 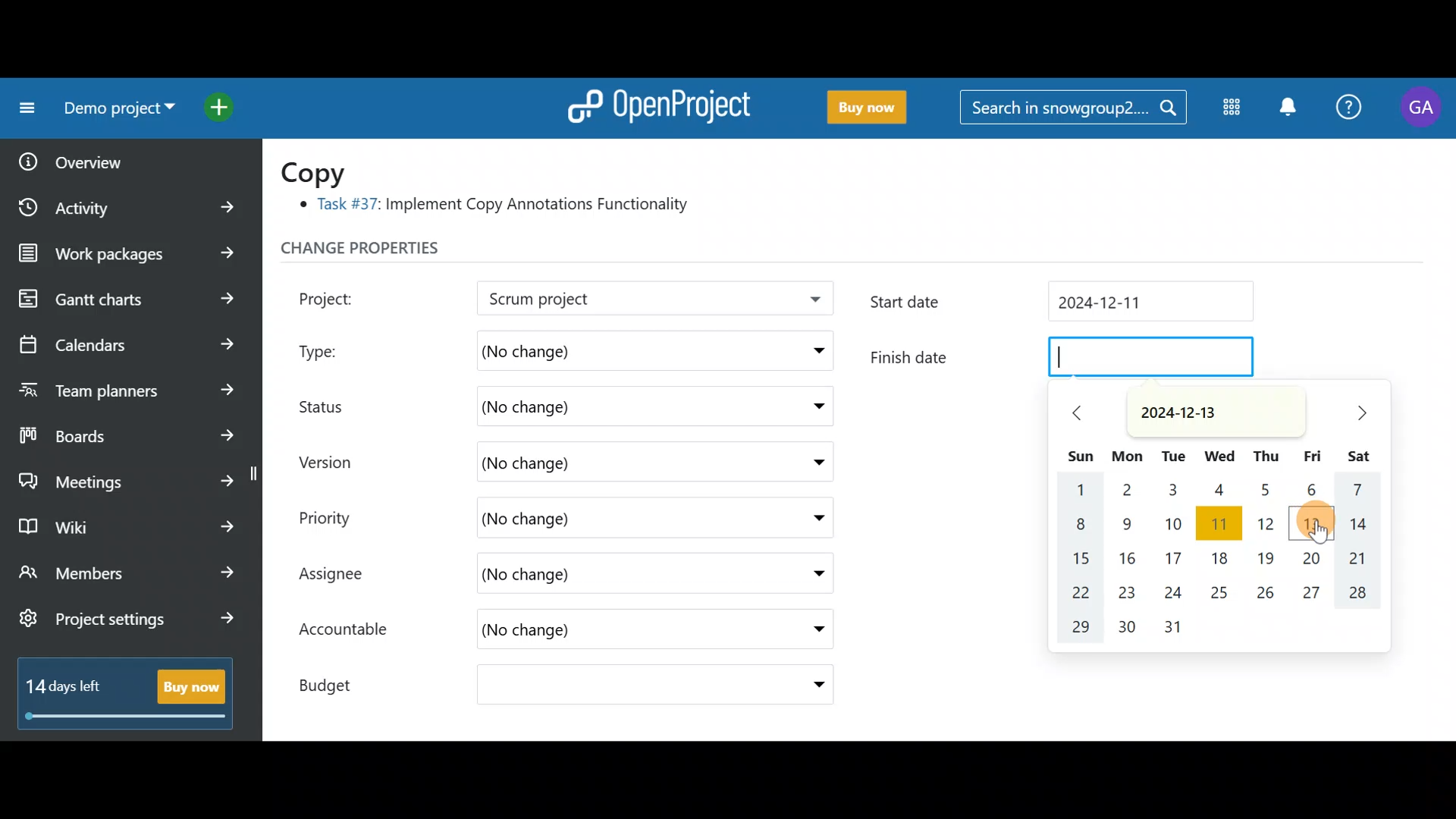 What do you see at coordinates (131, 202) in the screenshot?
I see `Activity` at bounding box center [131, 202].